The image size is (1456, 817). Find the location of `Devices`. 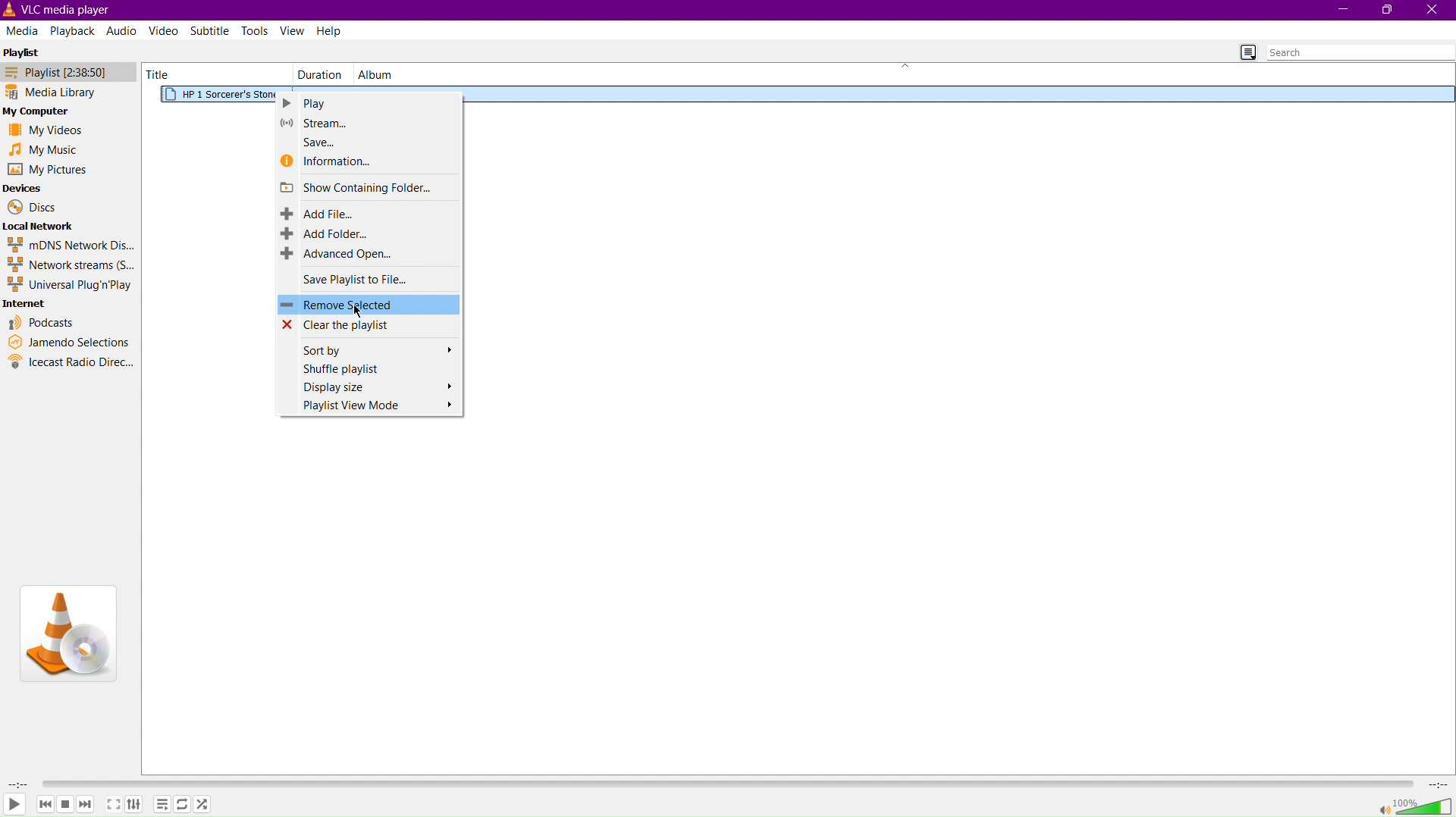

Devices is located at coordinates (26, 188).